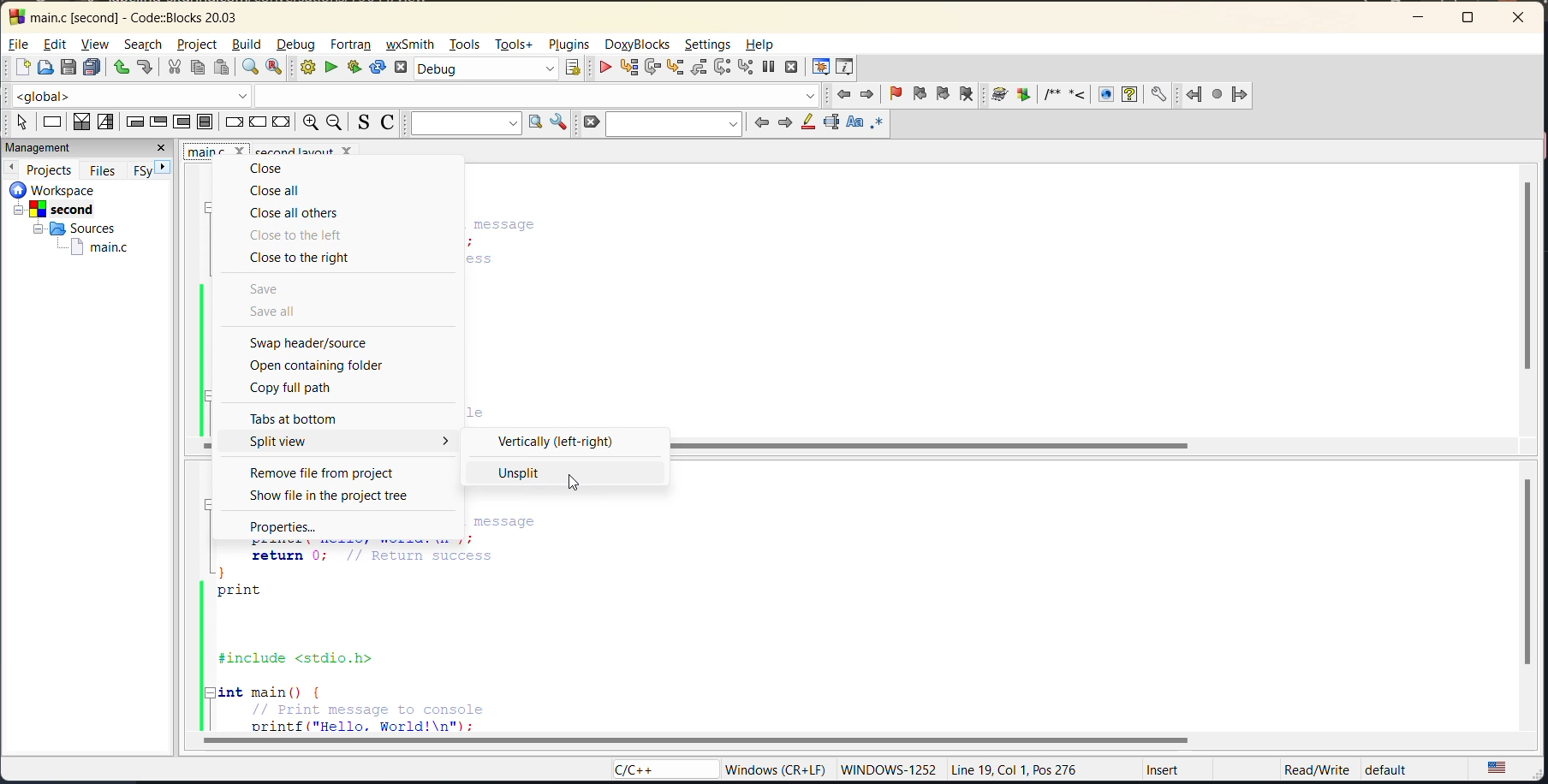  Describe the element at coordinates (24, 122) in the screenshot. I see `select` at that location.